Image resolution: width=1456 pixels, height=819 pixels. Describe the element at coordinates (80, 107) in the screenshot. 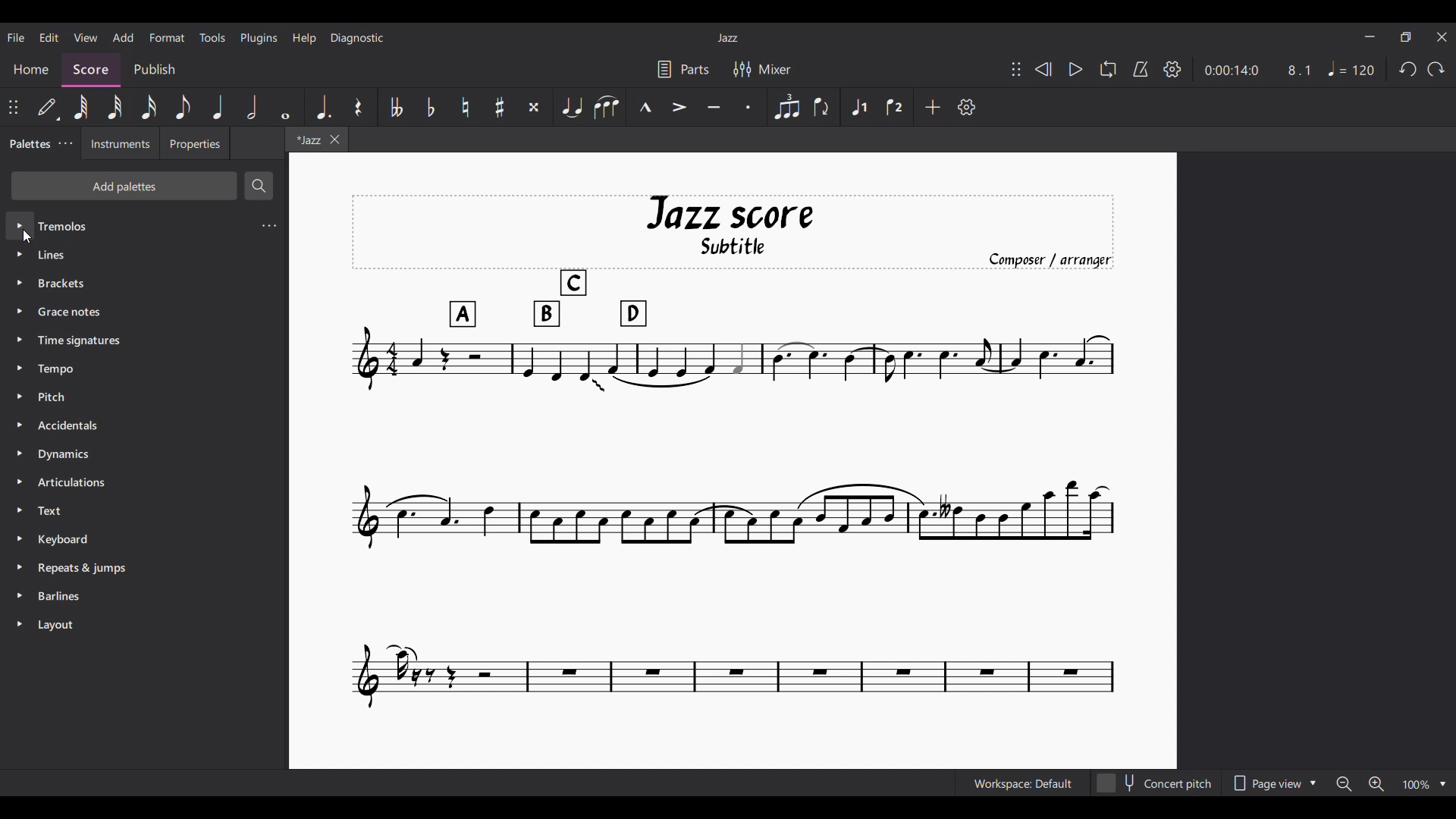

I see `64th note` at that location.